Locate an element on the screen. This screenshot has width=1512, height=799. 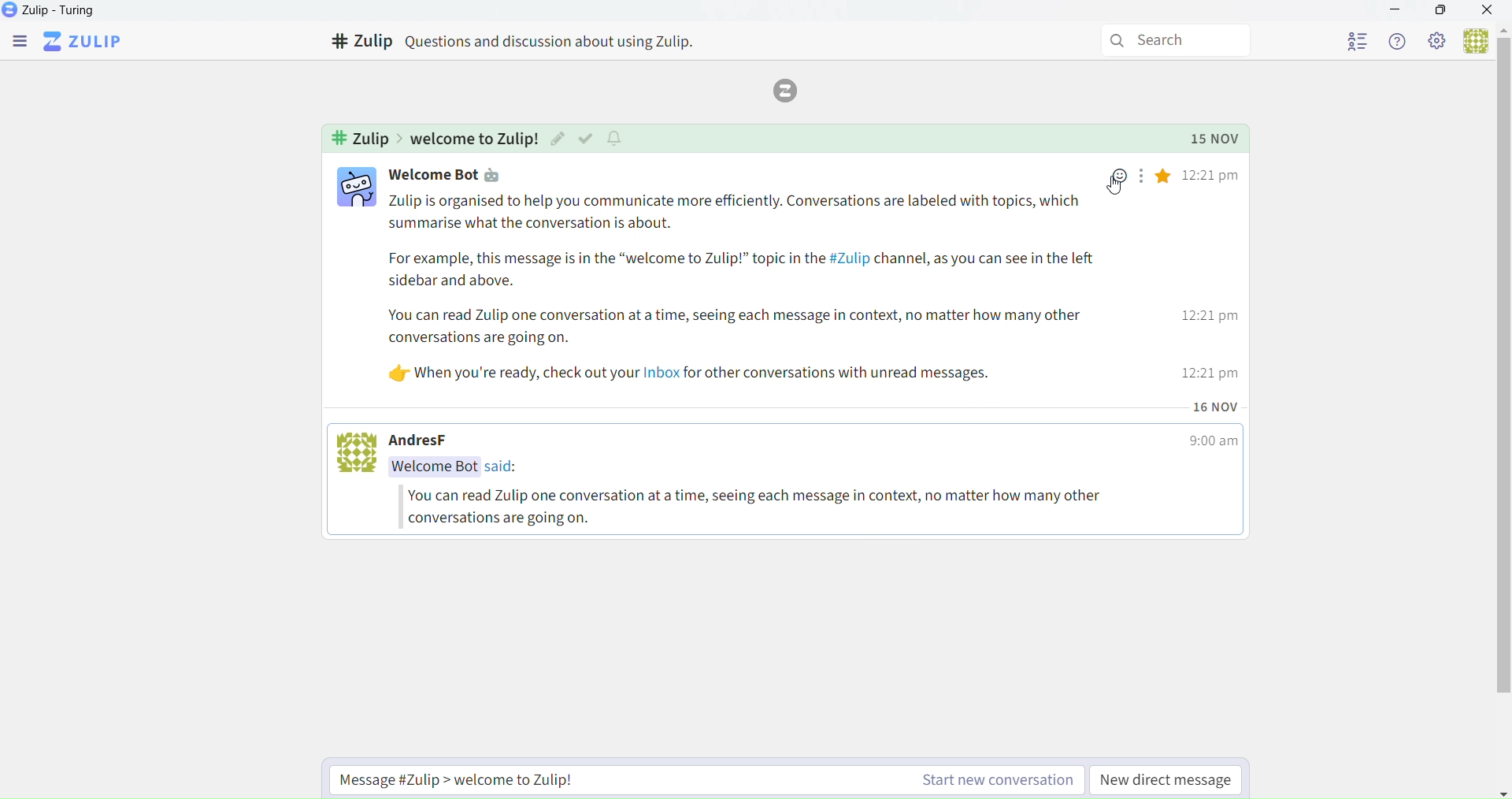
Menu Bar is located at coordinates (17, 40).